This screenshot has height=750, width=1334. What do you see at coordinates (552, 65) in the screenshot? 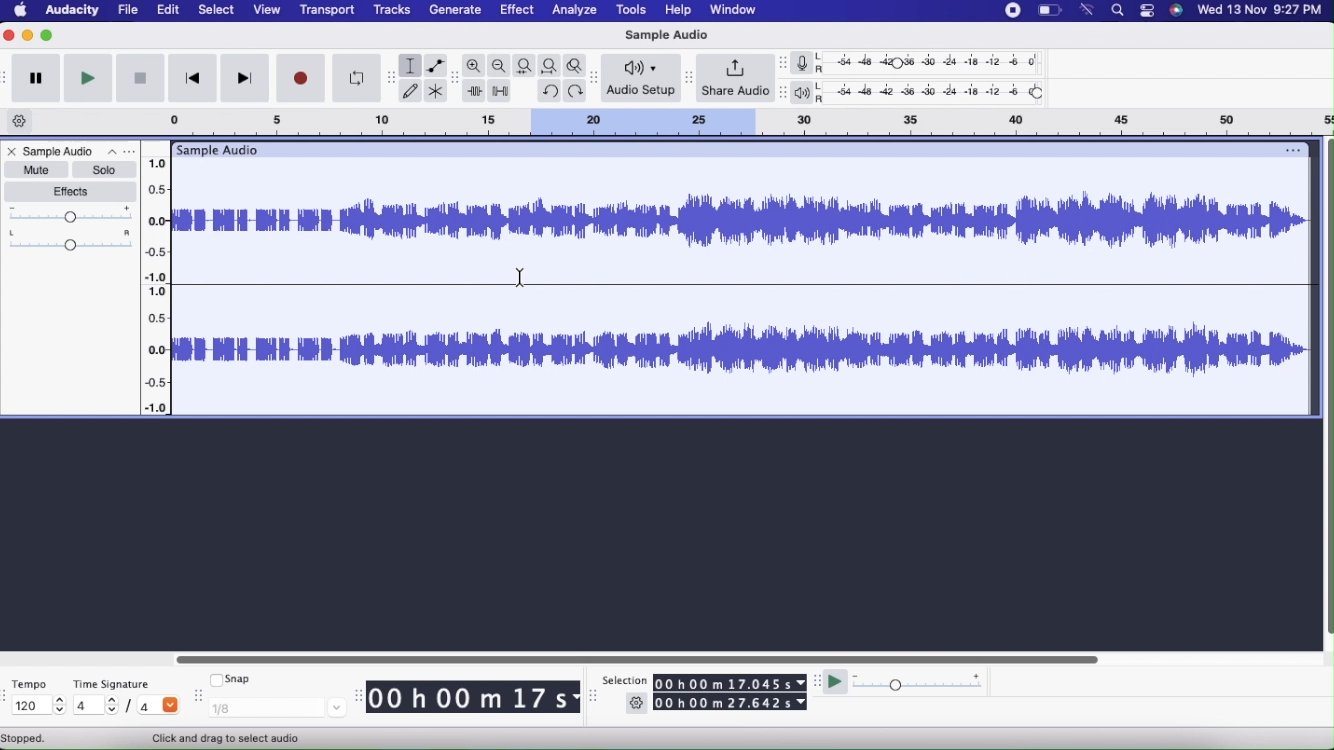
I see `Fit project to width` at bounding box center [552, 65].